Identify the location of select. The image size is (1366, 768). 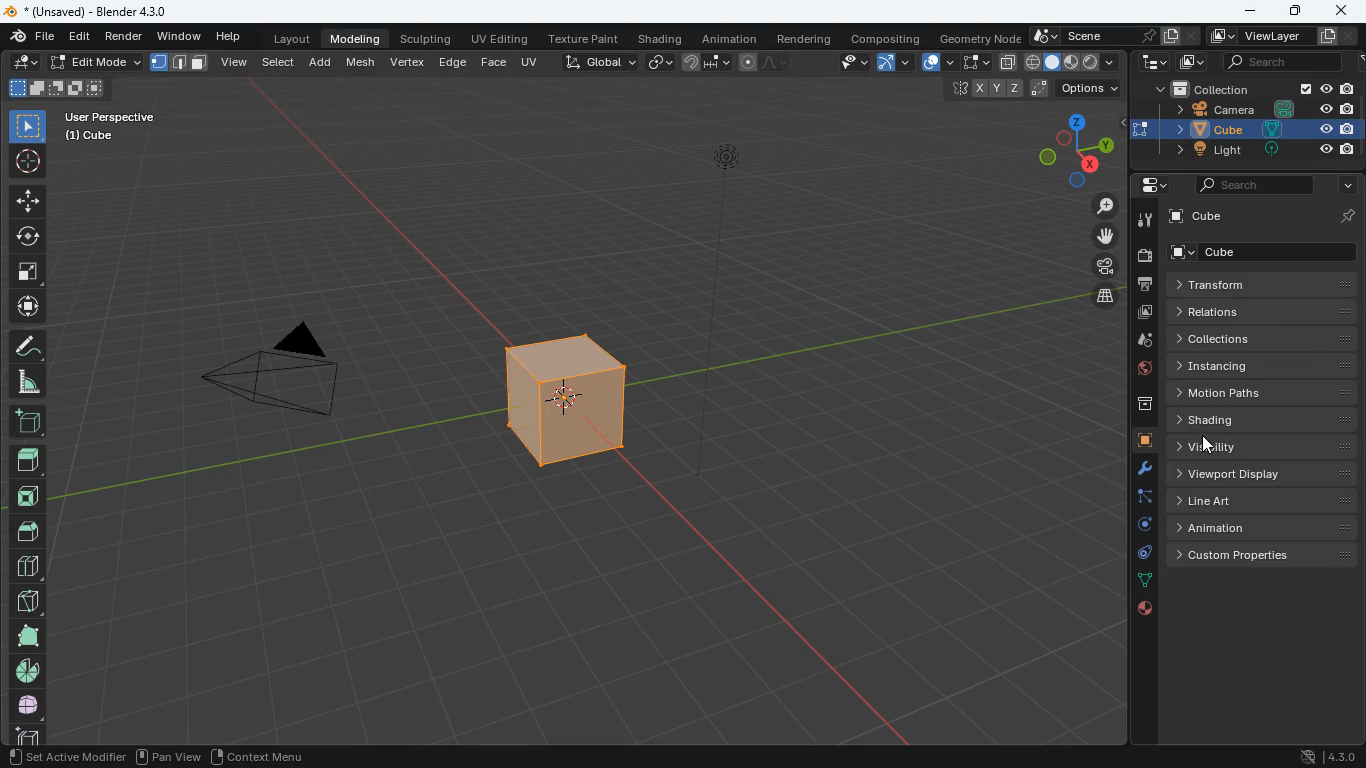
(972, 63).